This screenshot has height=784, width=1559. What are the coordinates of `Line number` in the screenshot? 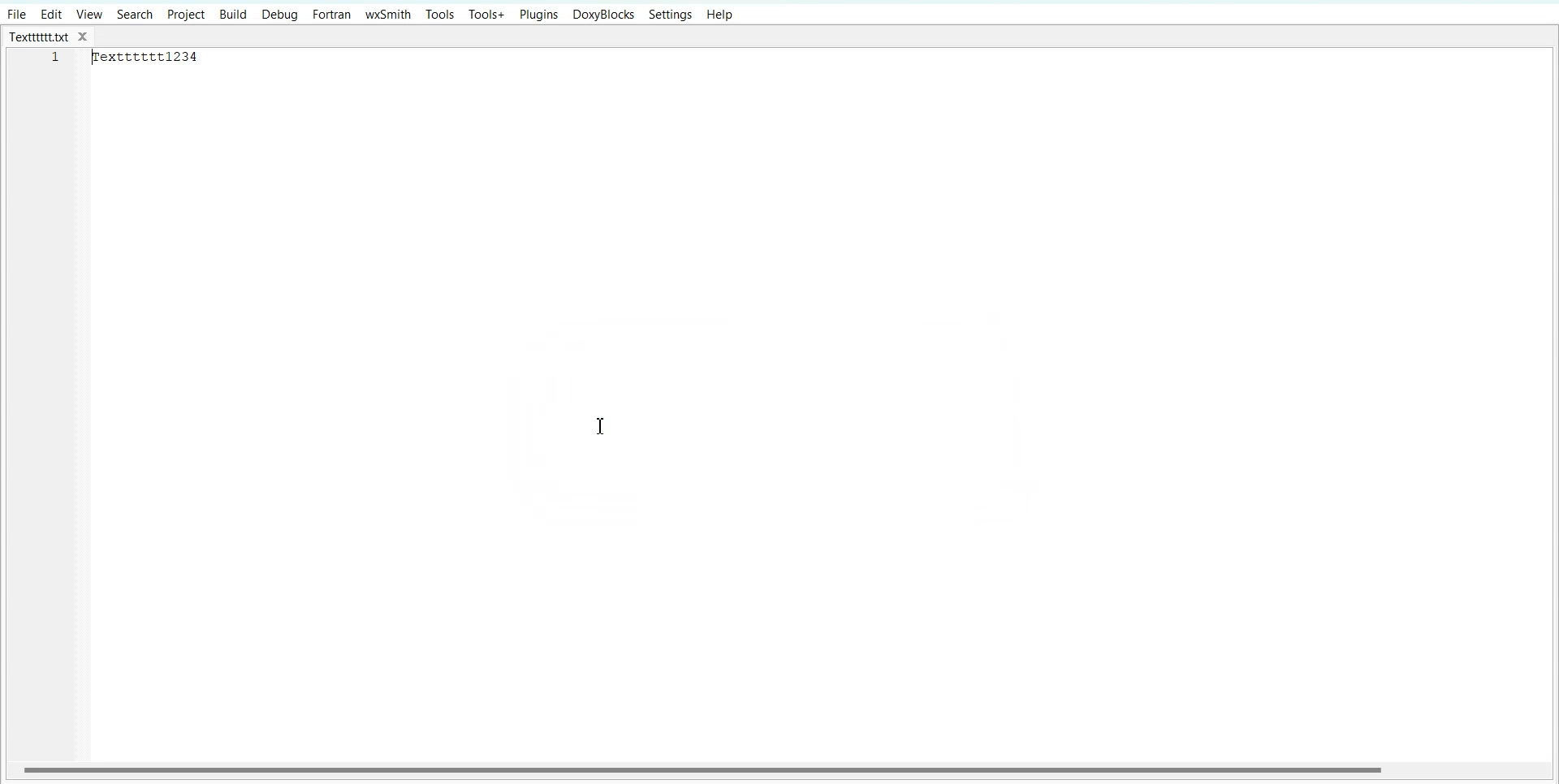 It's located at (57, 62).